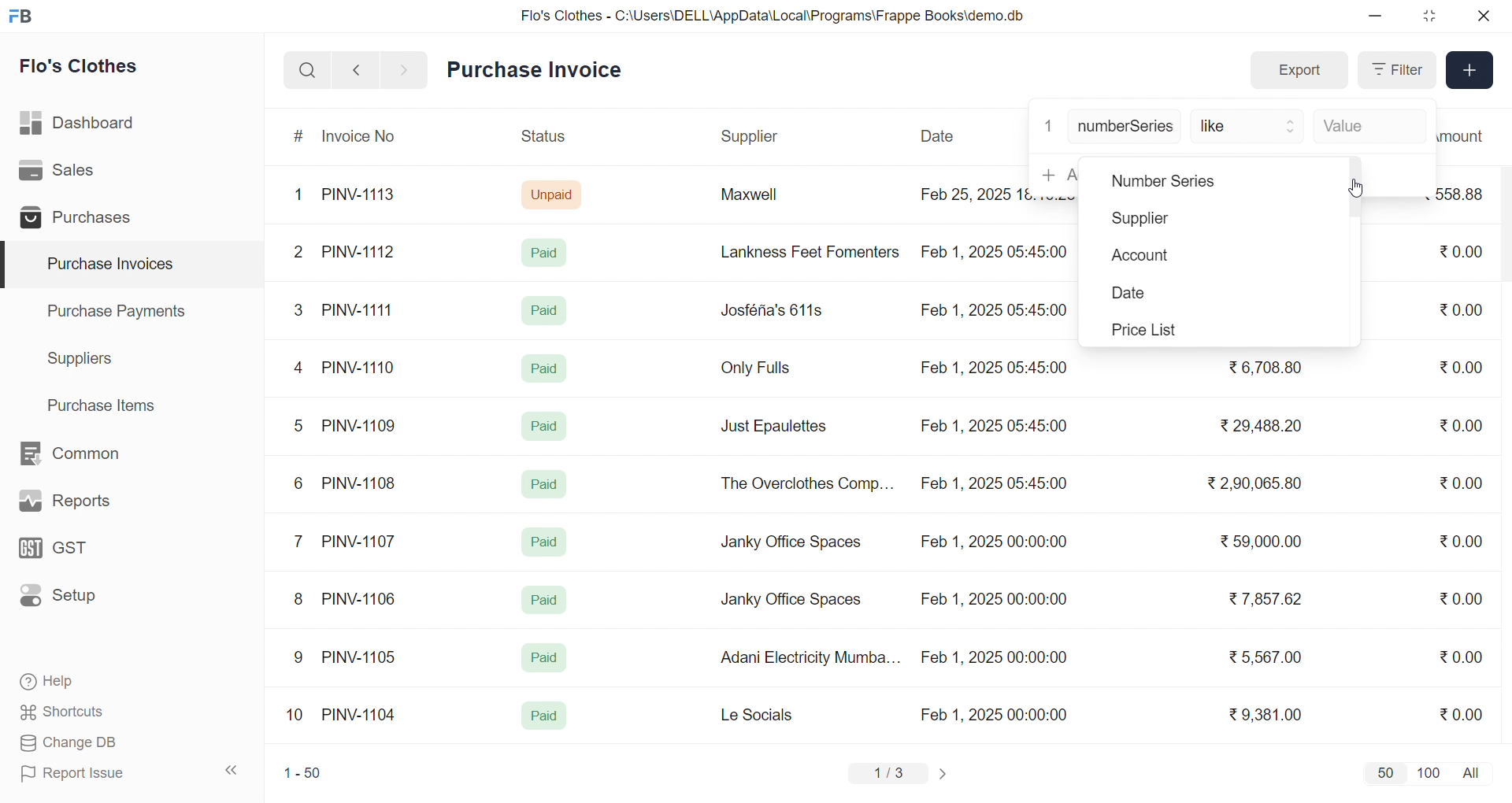  I want to click on Janky Office Spaces, so click(792, 543).